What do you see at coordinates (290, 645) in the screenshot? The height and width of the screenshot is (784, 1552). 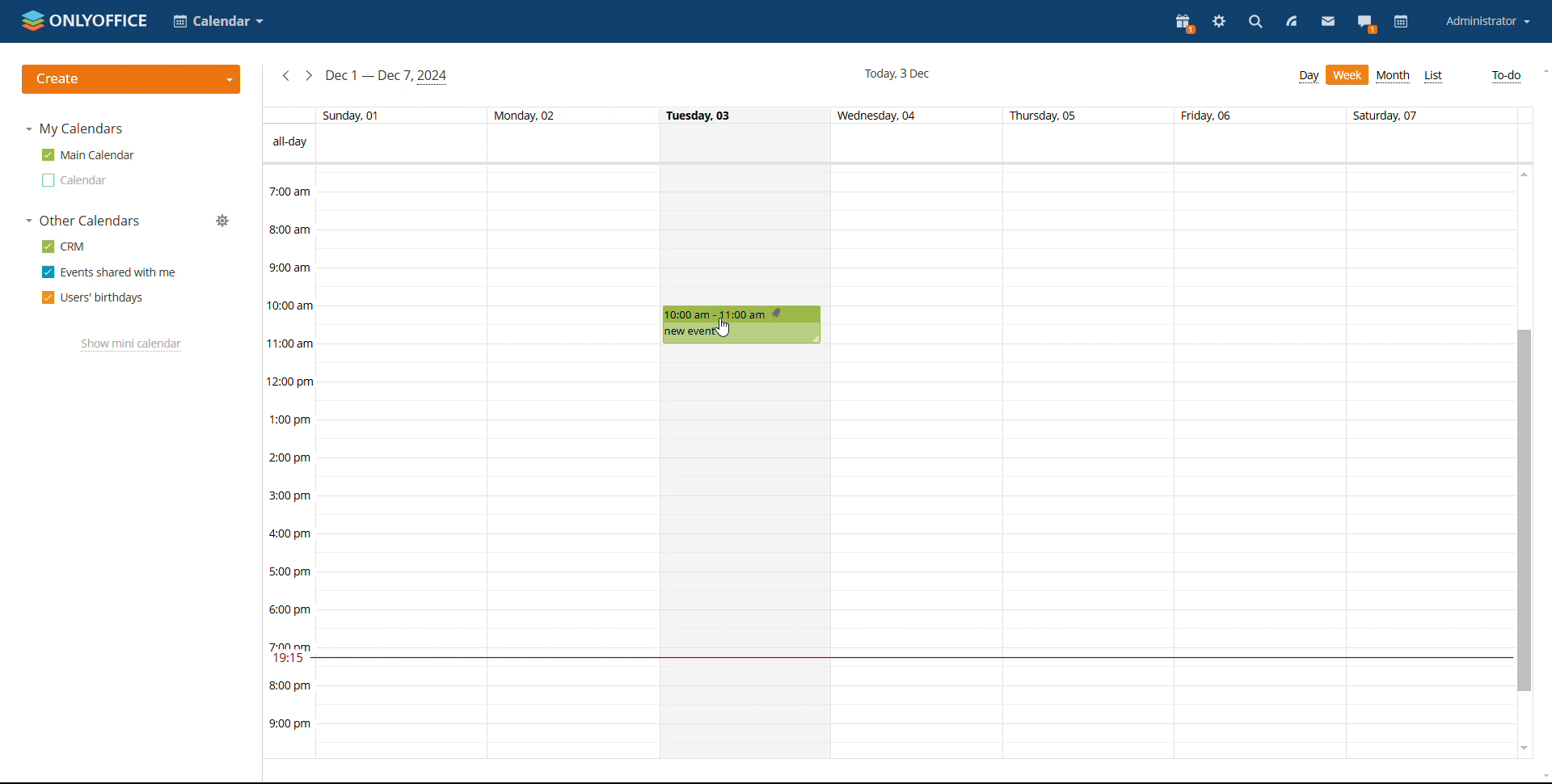 I see `7:00 pm` at bounding box center [290, 645].